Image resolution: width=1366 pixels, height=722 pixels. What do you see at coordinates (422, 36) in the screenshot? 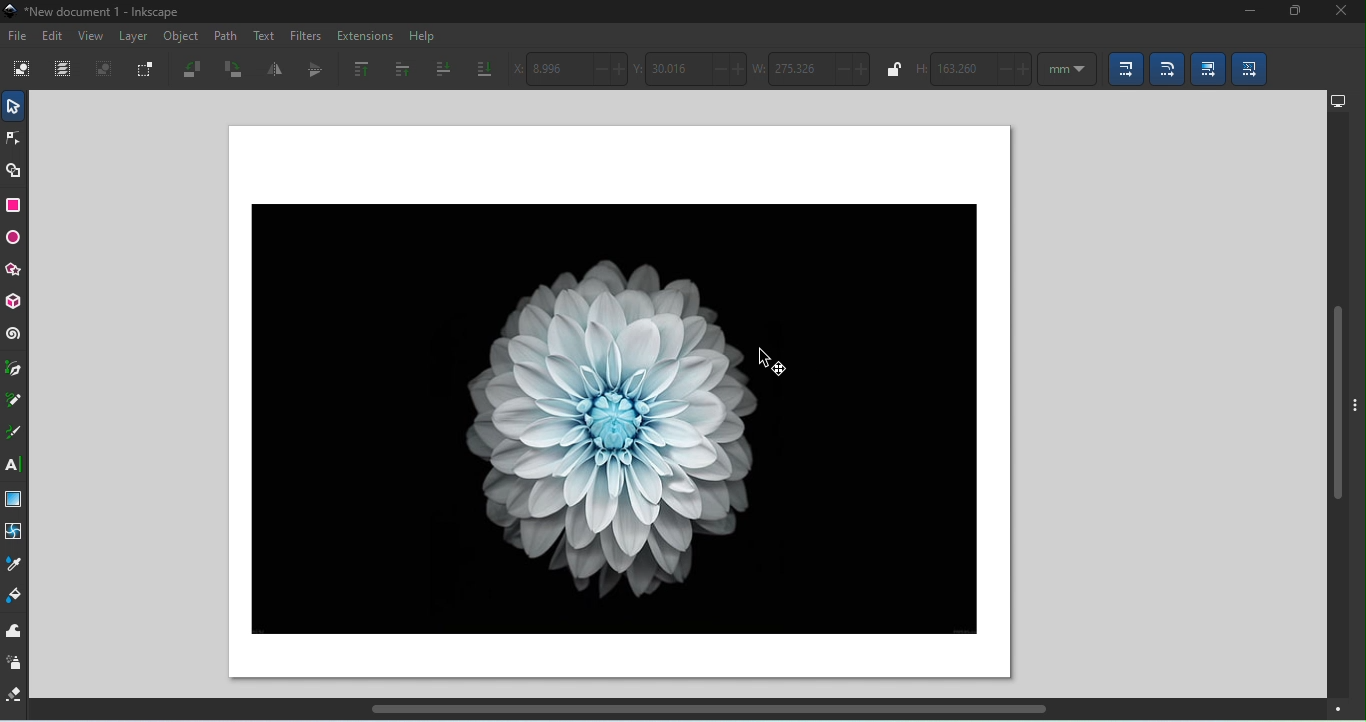
I see `Help` at bounding box center [422, 36].